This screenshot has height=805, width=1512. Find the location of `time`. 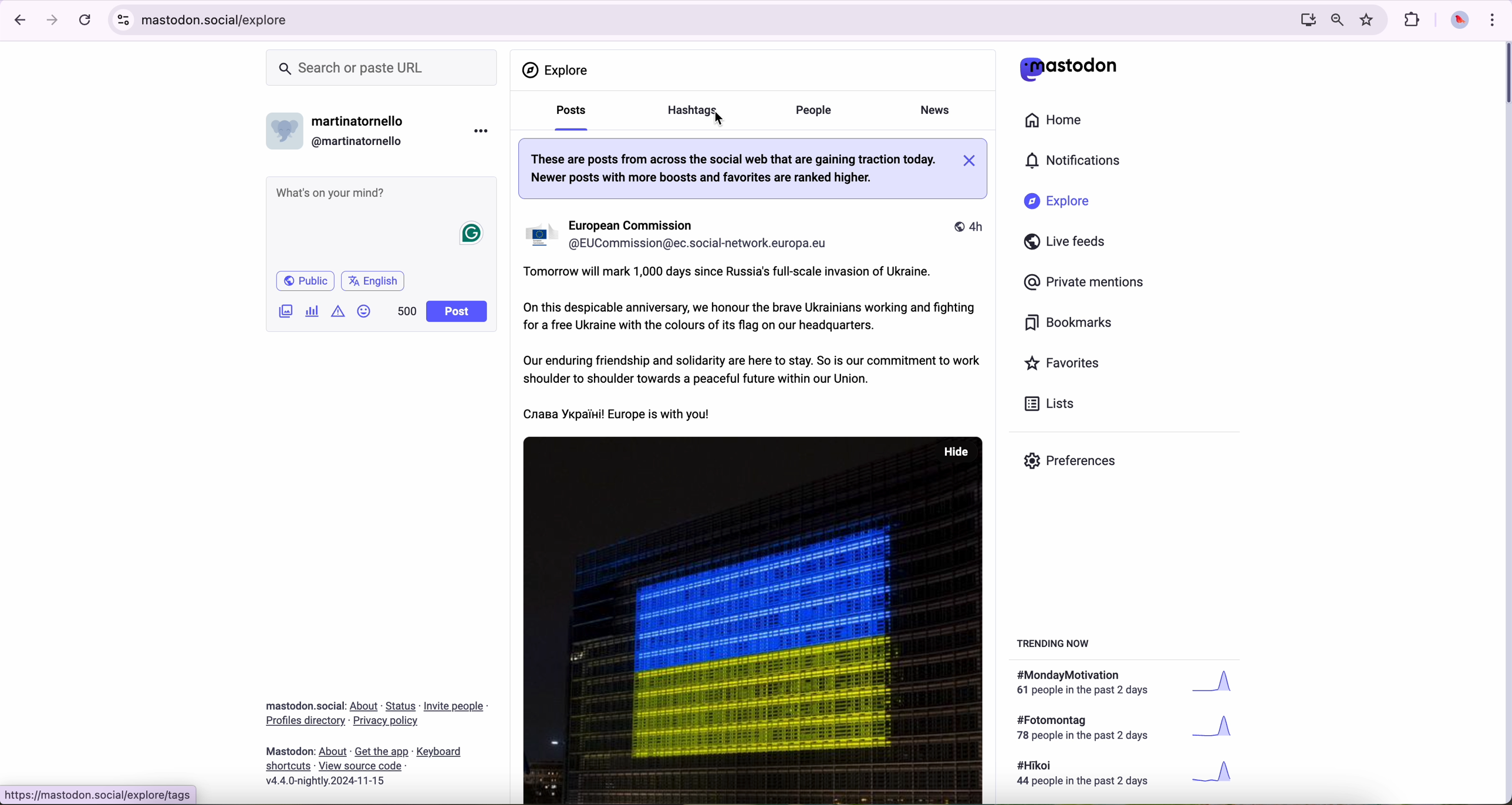

time is located at coordinates (970, 228).